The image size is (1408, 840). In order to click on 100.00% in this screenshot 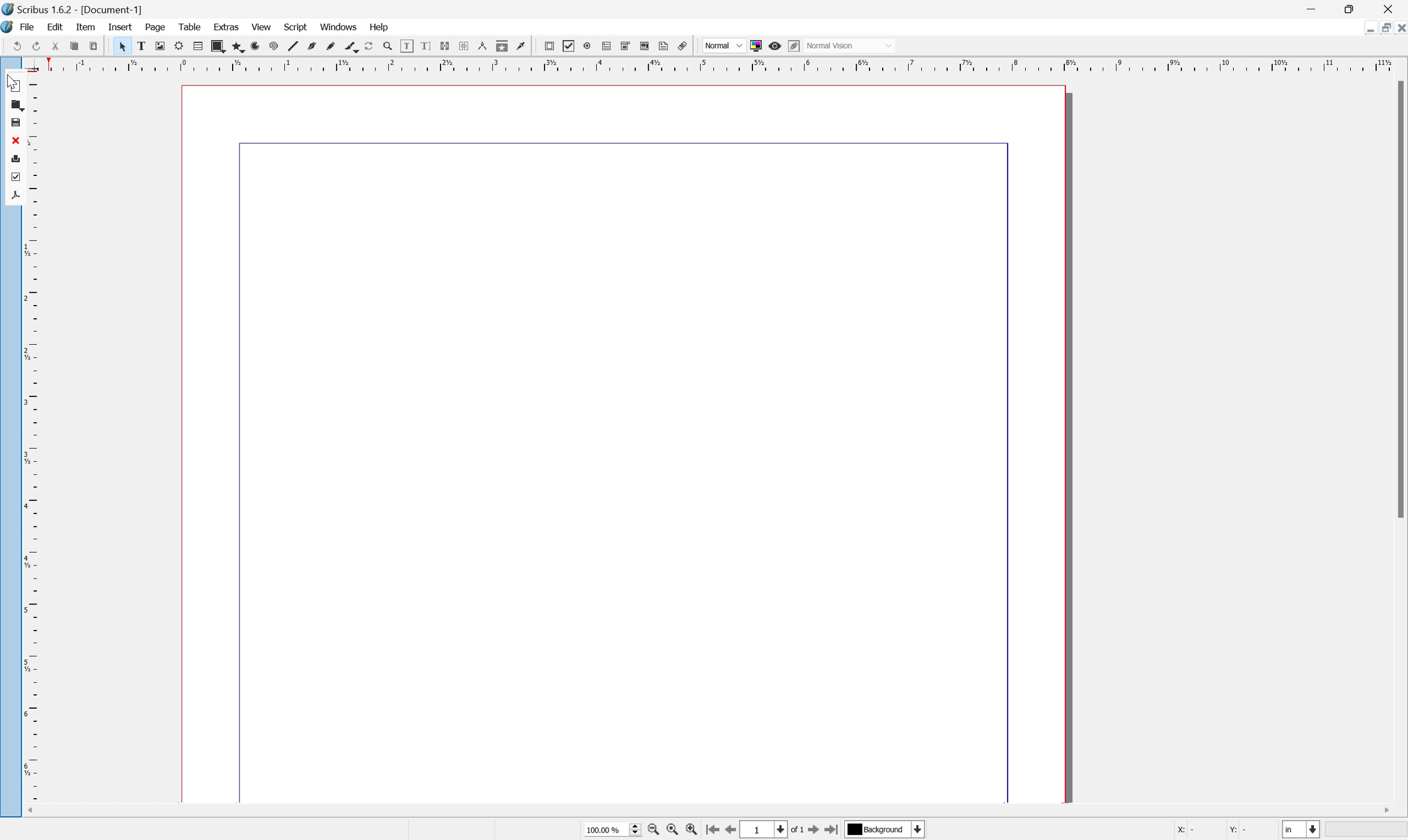, I will do `click(611, 829)`.